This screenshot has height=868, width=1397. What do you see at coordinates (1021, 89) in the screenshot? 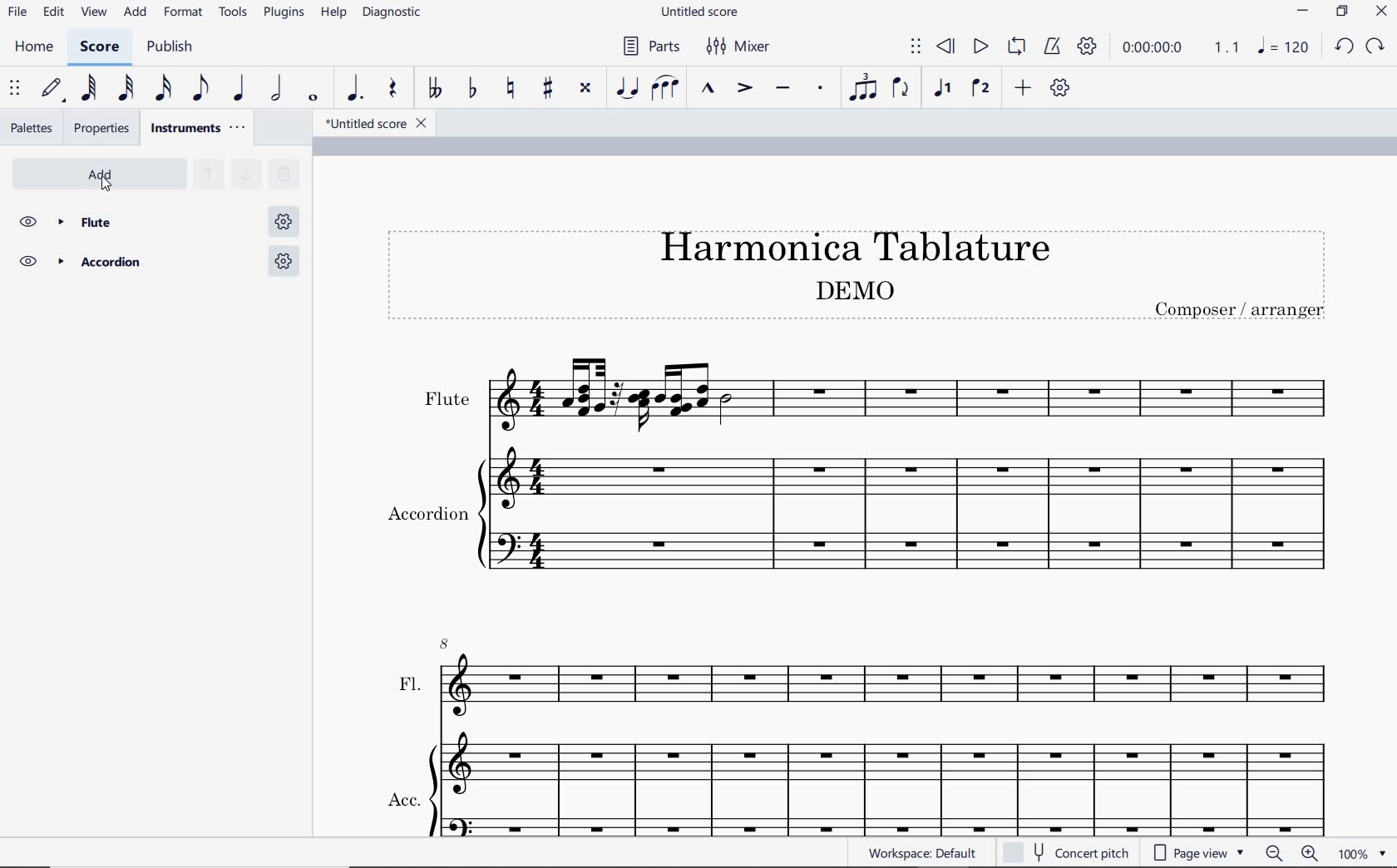
I see `add` at bounding box center [1021, 89].